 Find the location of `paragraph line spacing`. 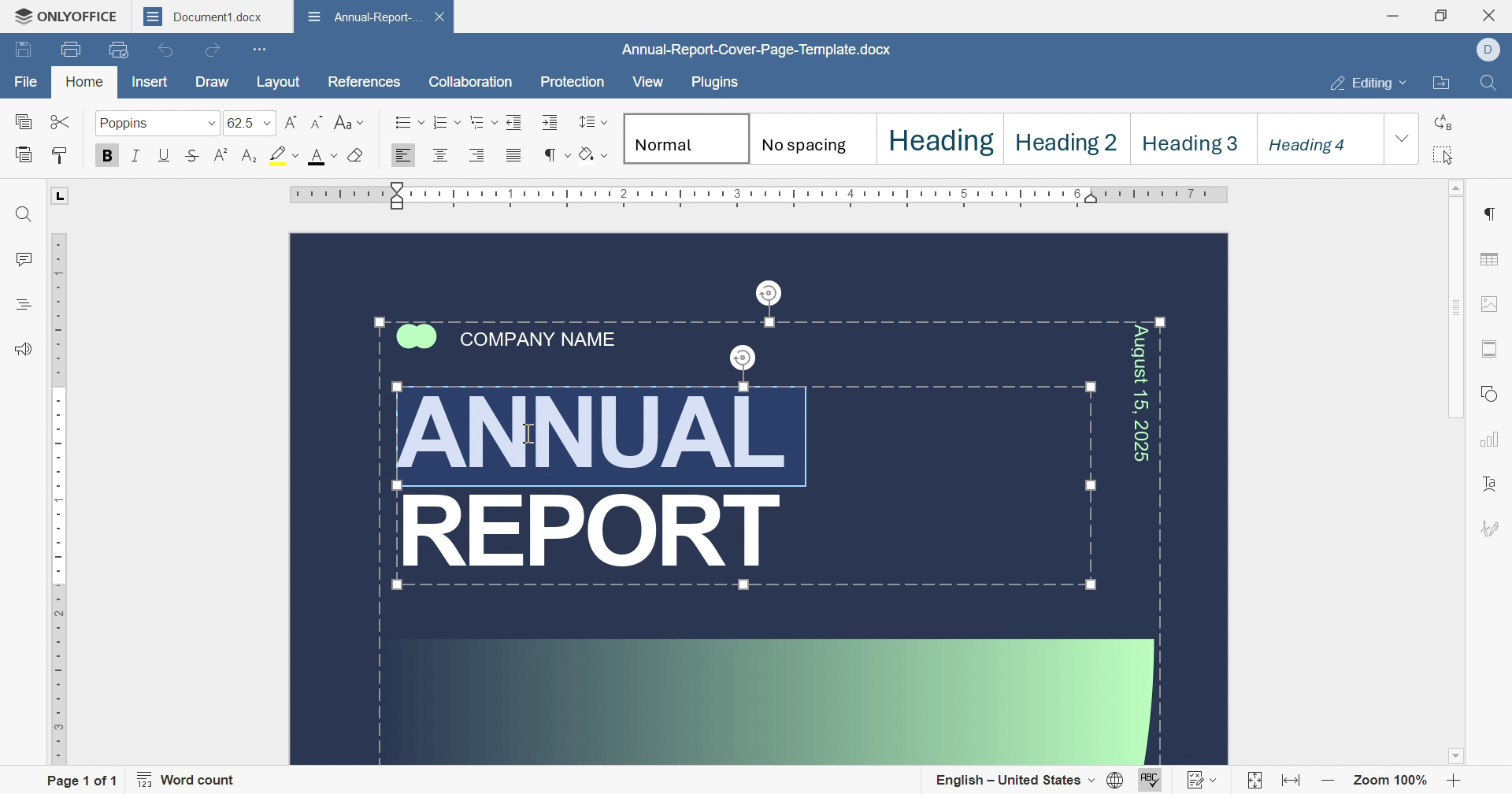

paragraph line spacing is located at coordinates (591, 123).